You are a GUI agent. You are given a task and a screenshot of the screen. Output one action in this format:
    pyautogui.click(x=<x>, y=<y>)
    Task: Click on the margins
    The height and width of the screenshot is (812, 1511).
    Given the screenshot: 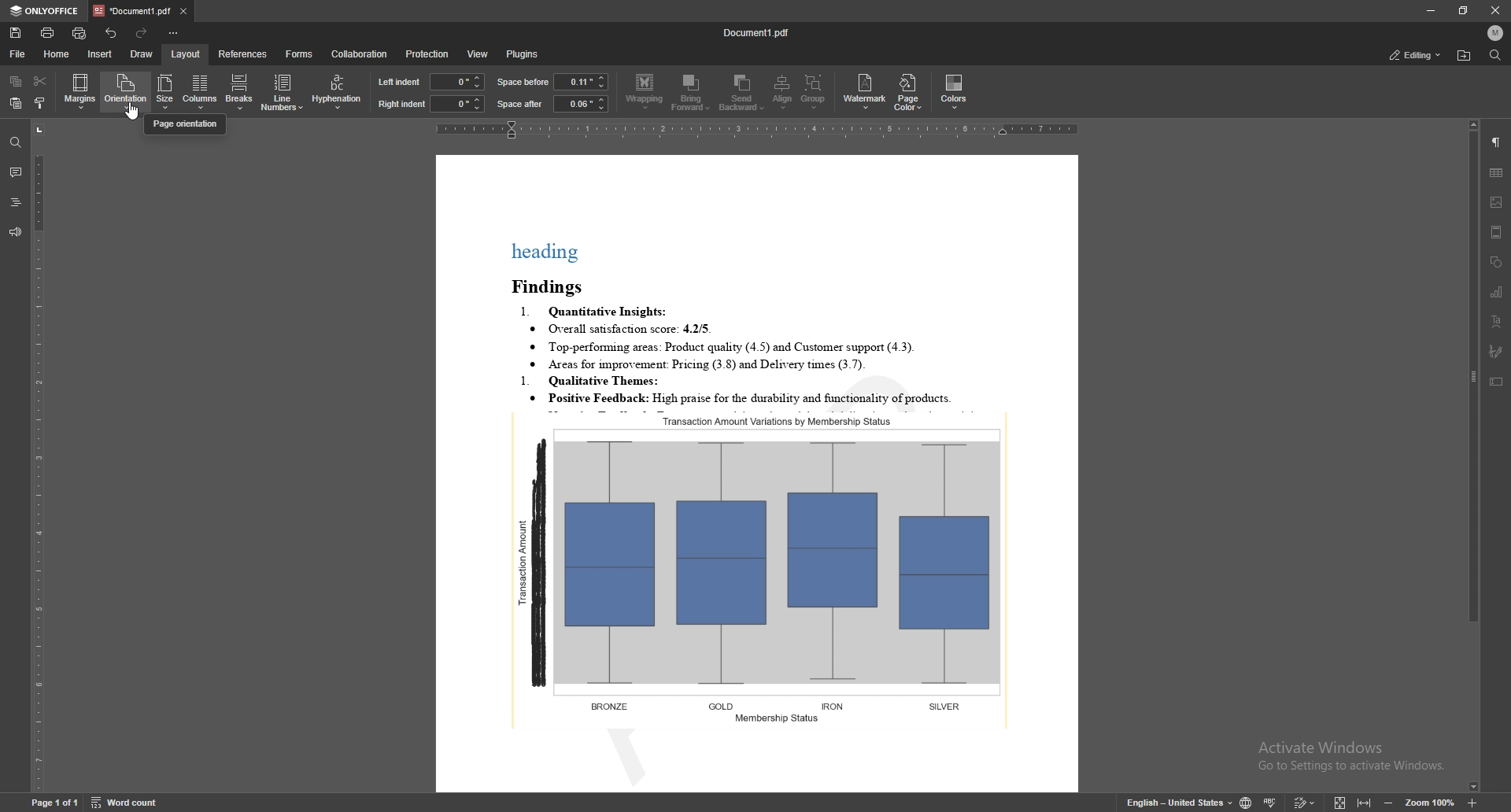 What is the action you would take?
    pyautogui.click(x=80, y=91)
    